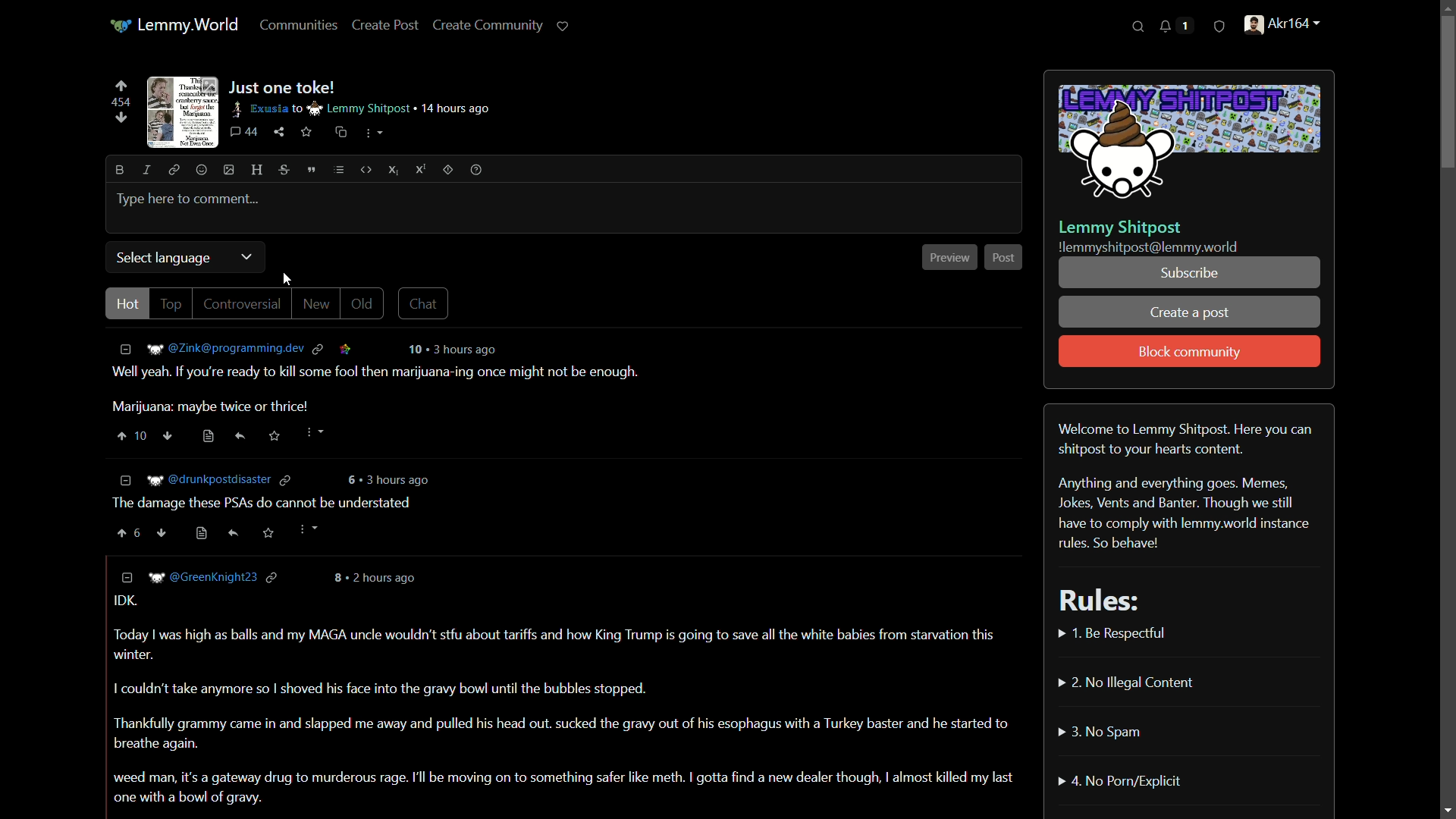 This screenshot has height=819, width=1456. Describe the element at coordinates (257, 109) in the screenshot. I see `exusia` at that location.